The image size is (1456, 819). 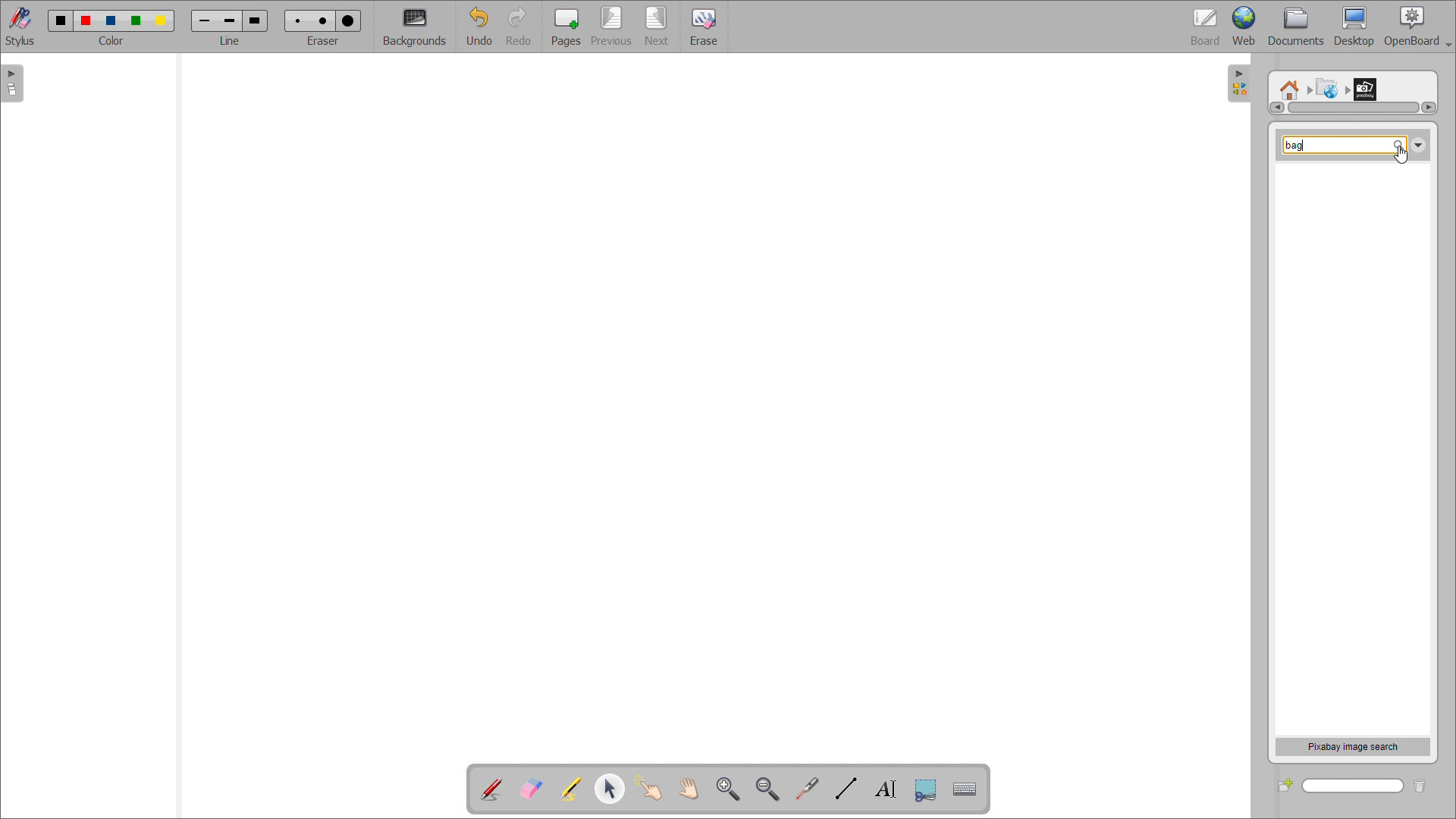 What do you see at coordinates (965, 789) in the screenshot?
I see `virtual keyboard` at bounding box center [965, 789].